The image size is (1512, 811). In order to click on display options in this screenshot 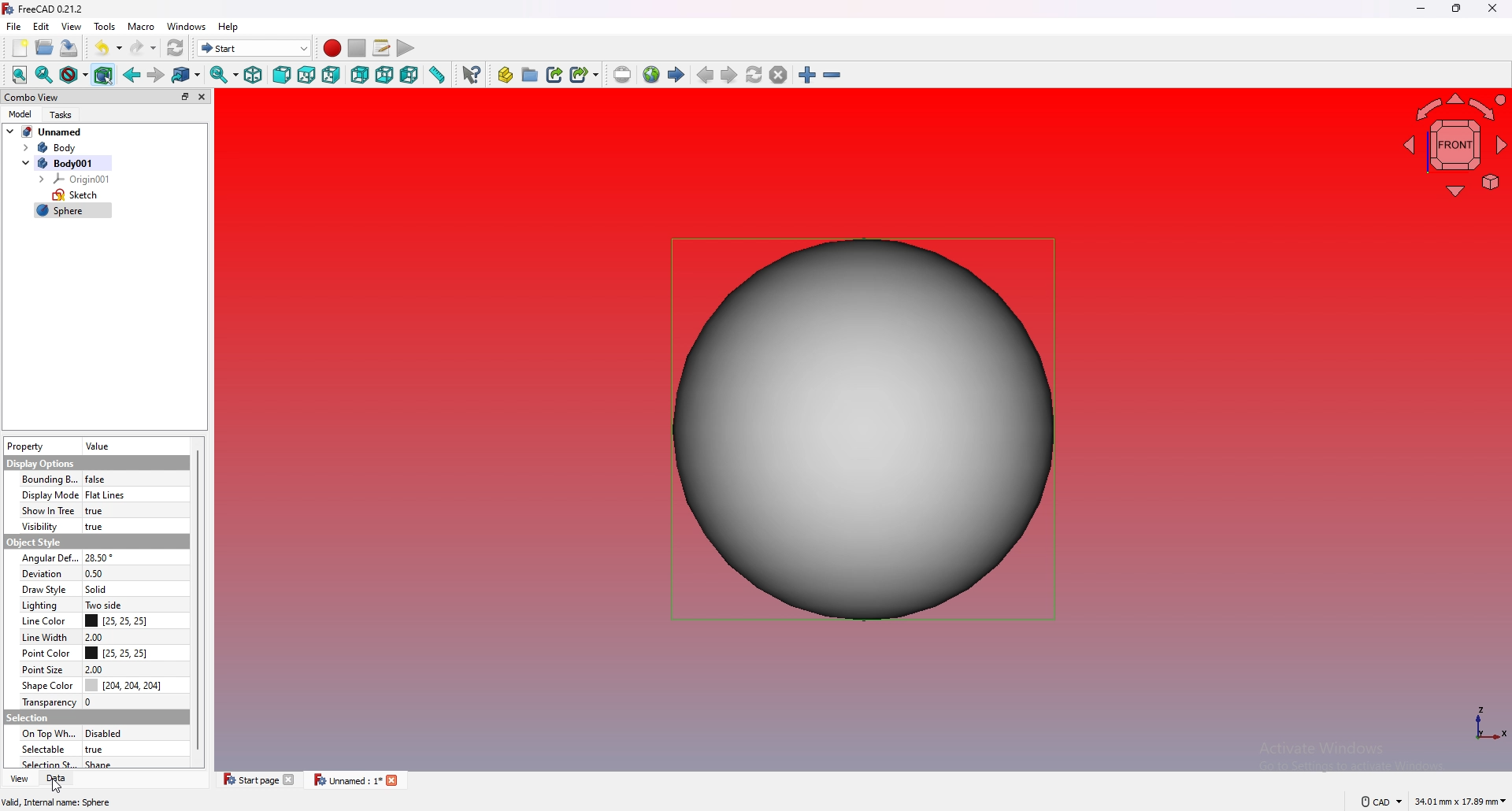, I will do `click(42, 463)`.